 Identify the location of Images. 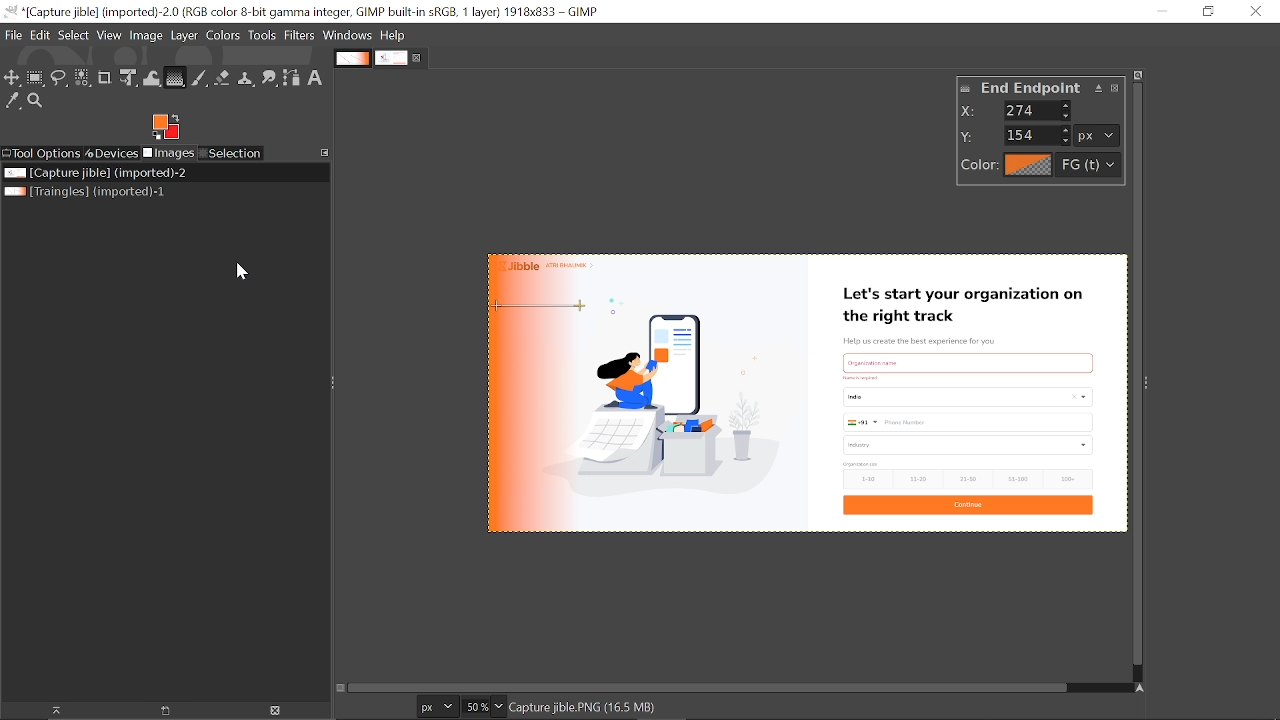
(170, 153).